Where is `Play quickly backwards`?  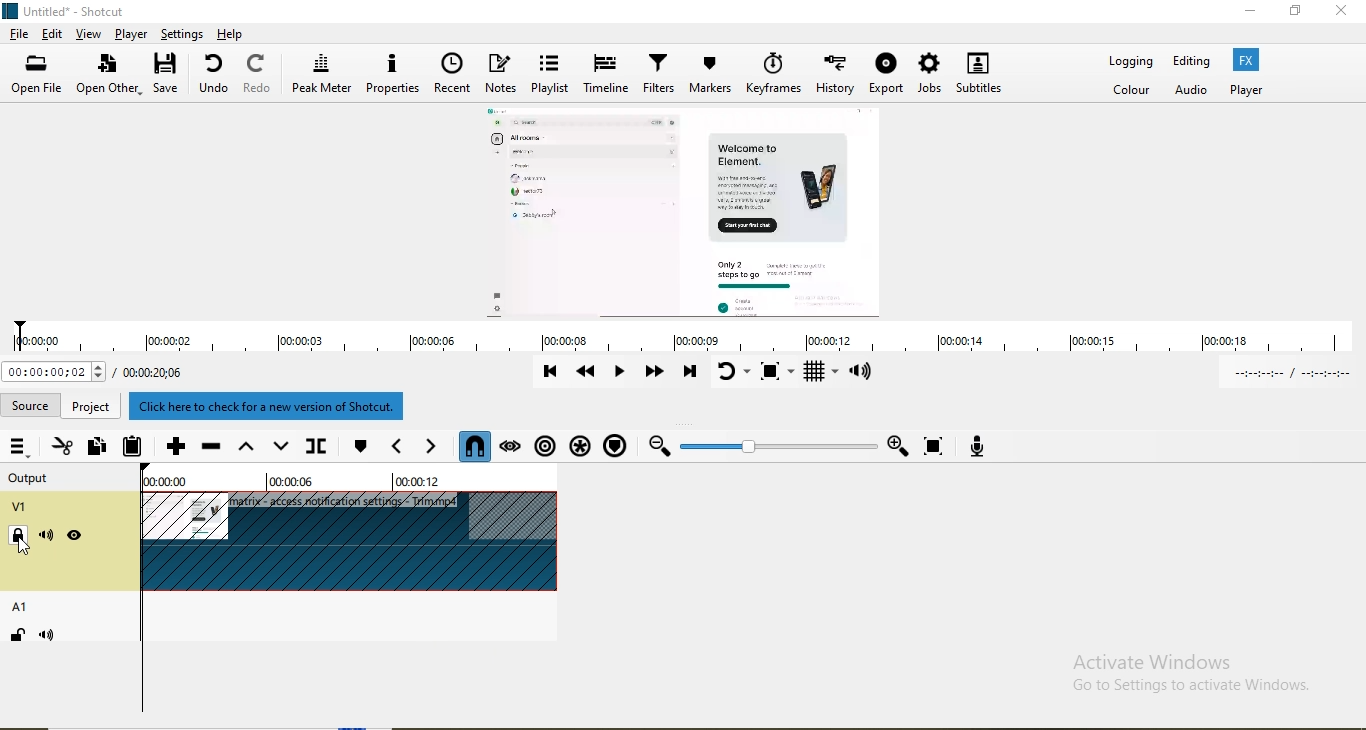
Play quickly backwards is located at coordinates (589, 378).